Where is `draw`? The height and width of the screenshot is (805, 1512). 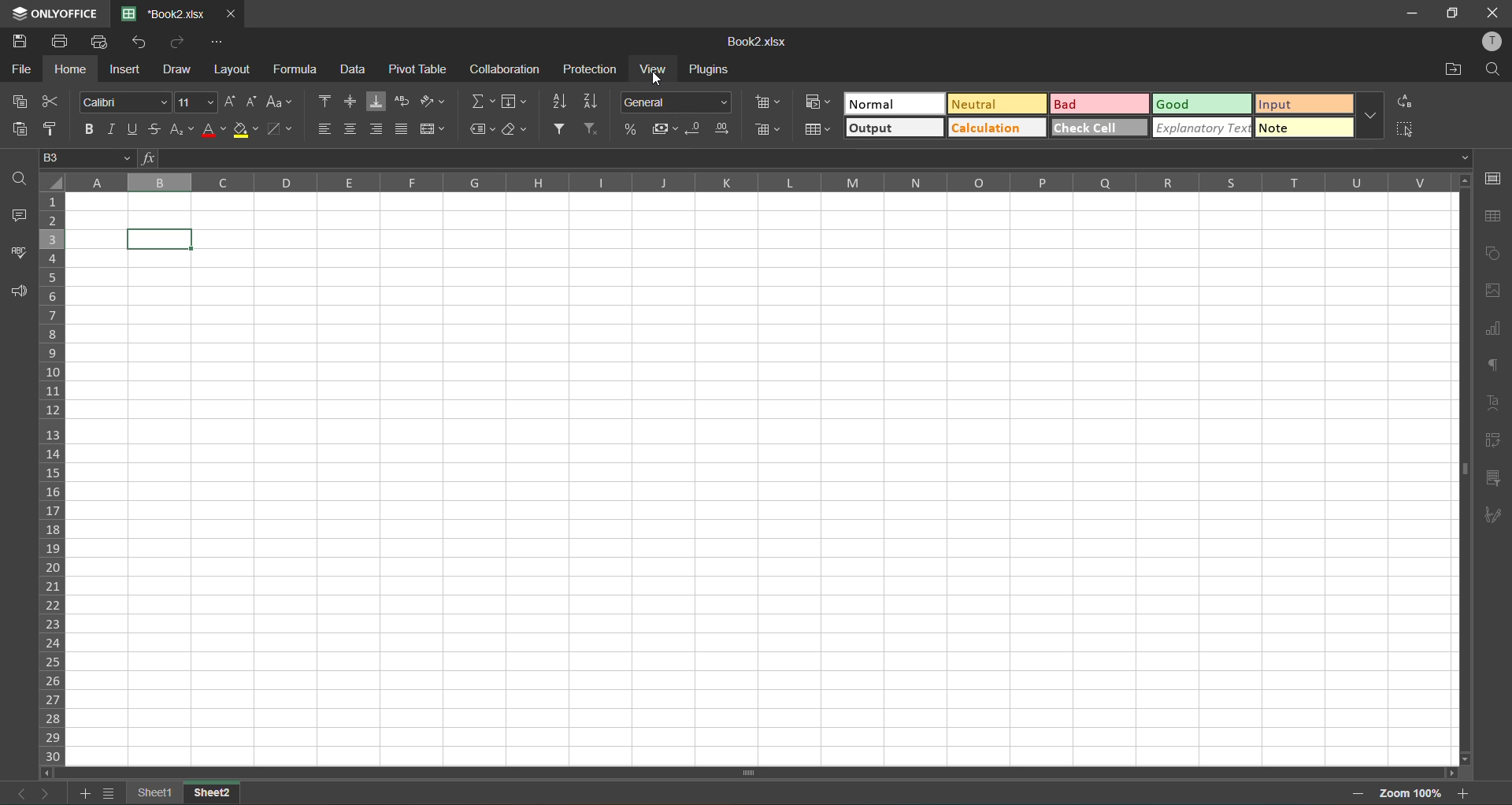
draw is located at coordinates (179, 69).